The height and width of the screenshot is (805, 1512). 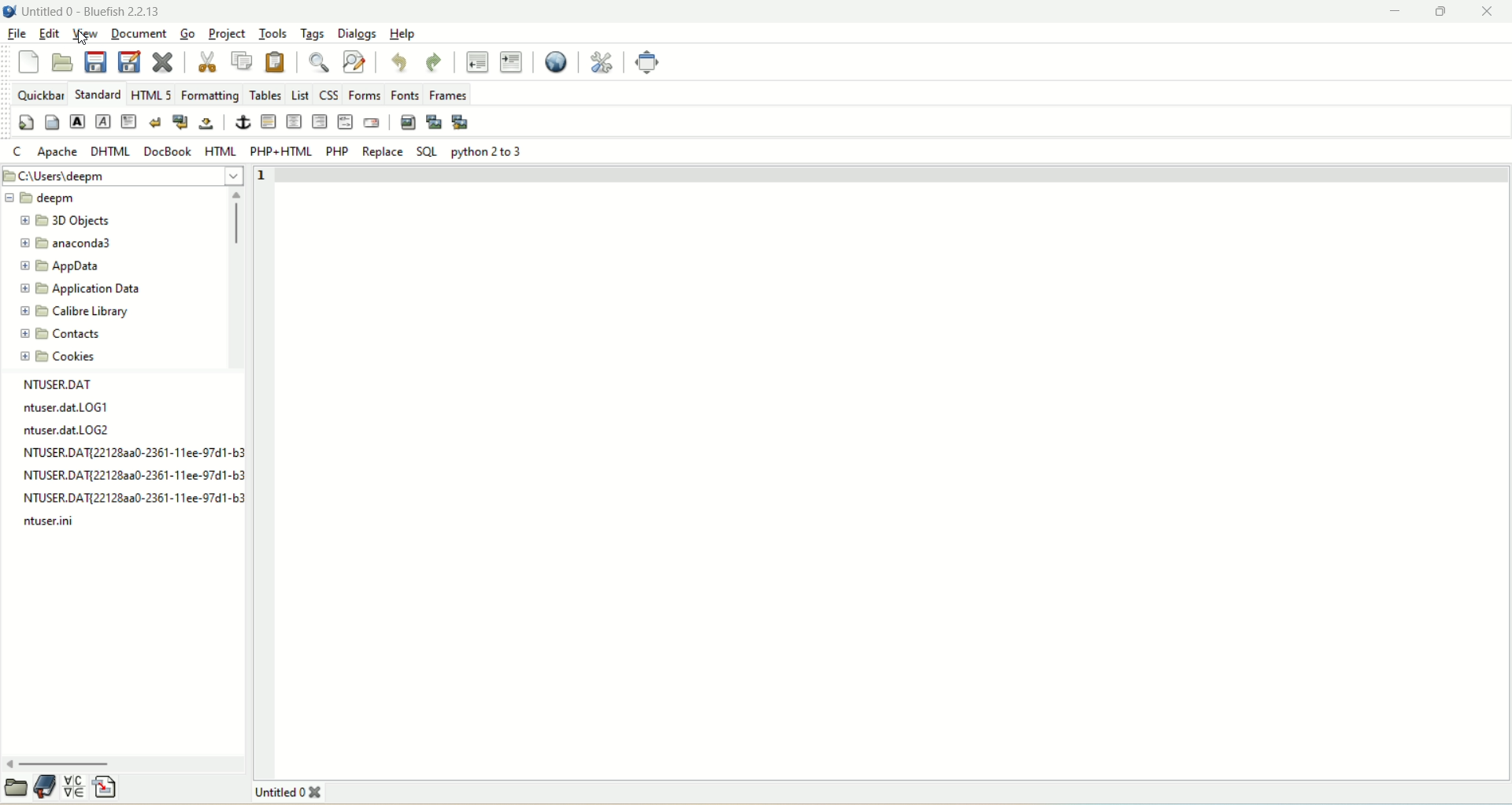 What do you see at coordinates (426, 150) in the screenshot?
I see `SQL` at bounding box center [426, 150].